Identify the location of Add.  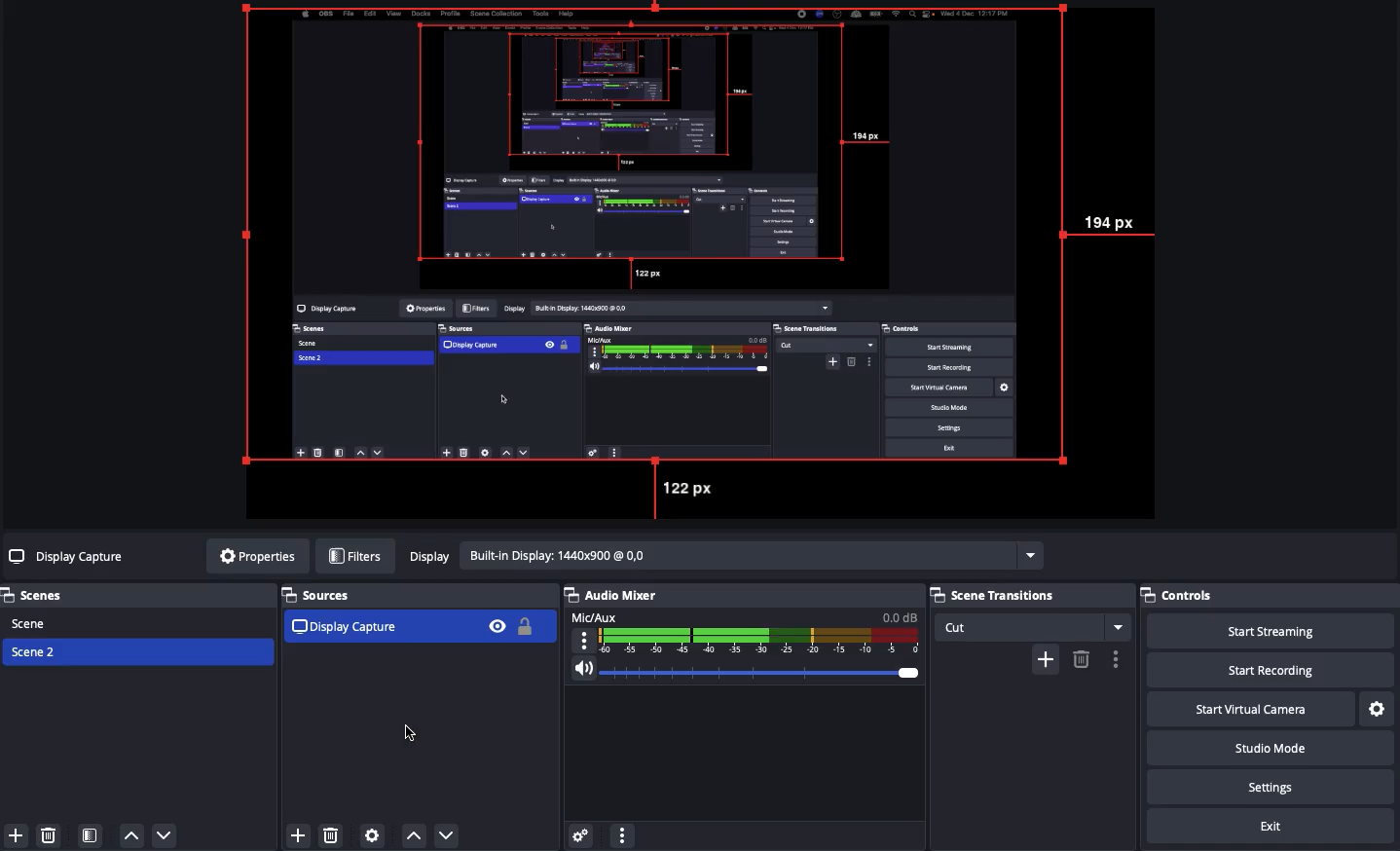
(18, 834).